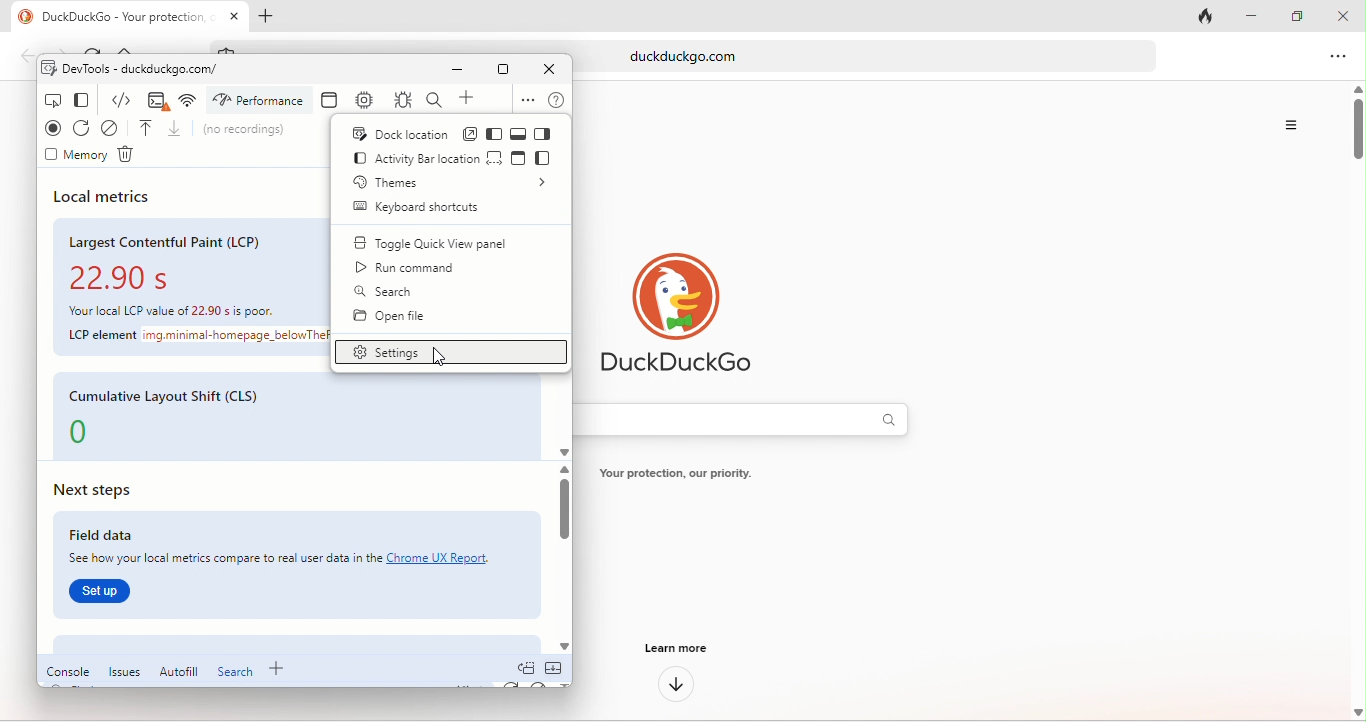 This screenshot has width=1366, height=722. I want to click on console, so click(158, 99).